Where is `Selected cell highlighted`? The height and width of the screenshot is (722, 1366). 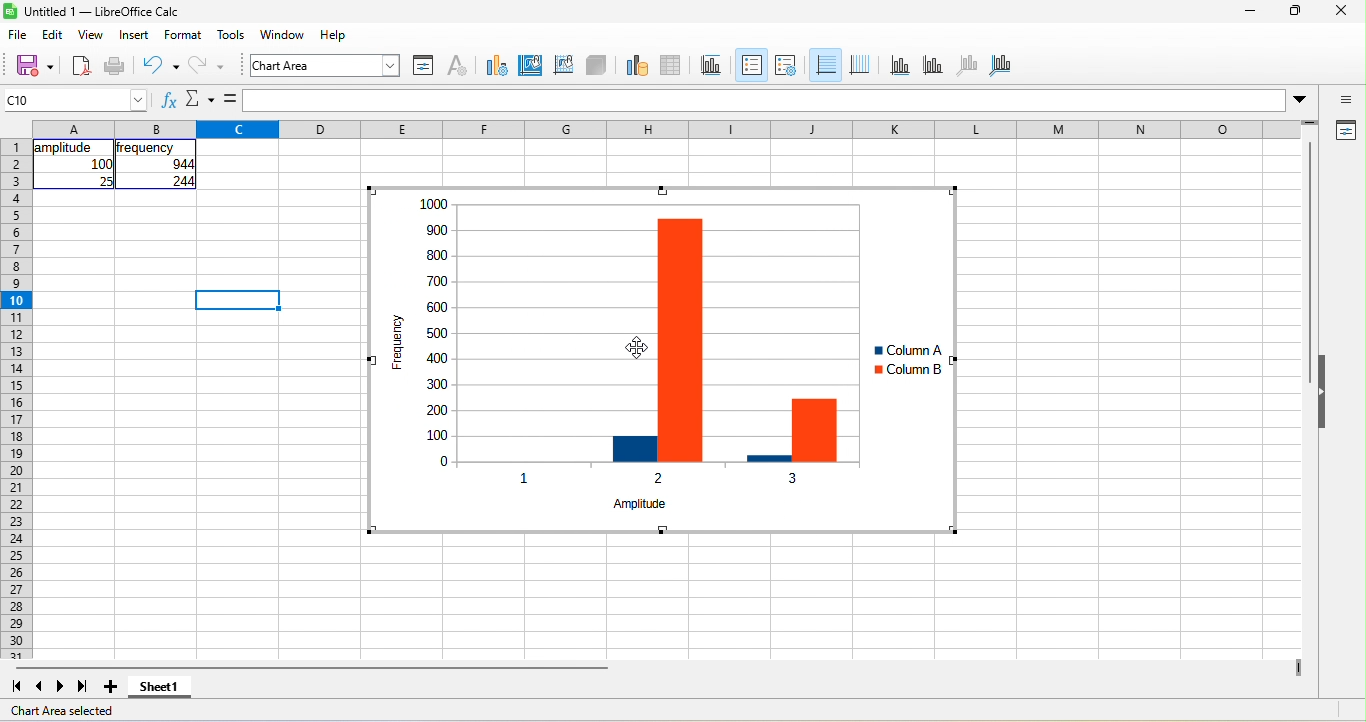 Selected cell highlighted is located at coordinates (237, 300).